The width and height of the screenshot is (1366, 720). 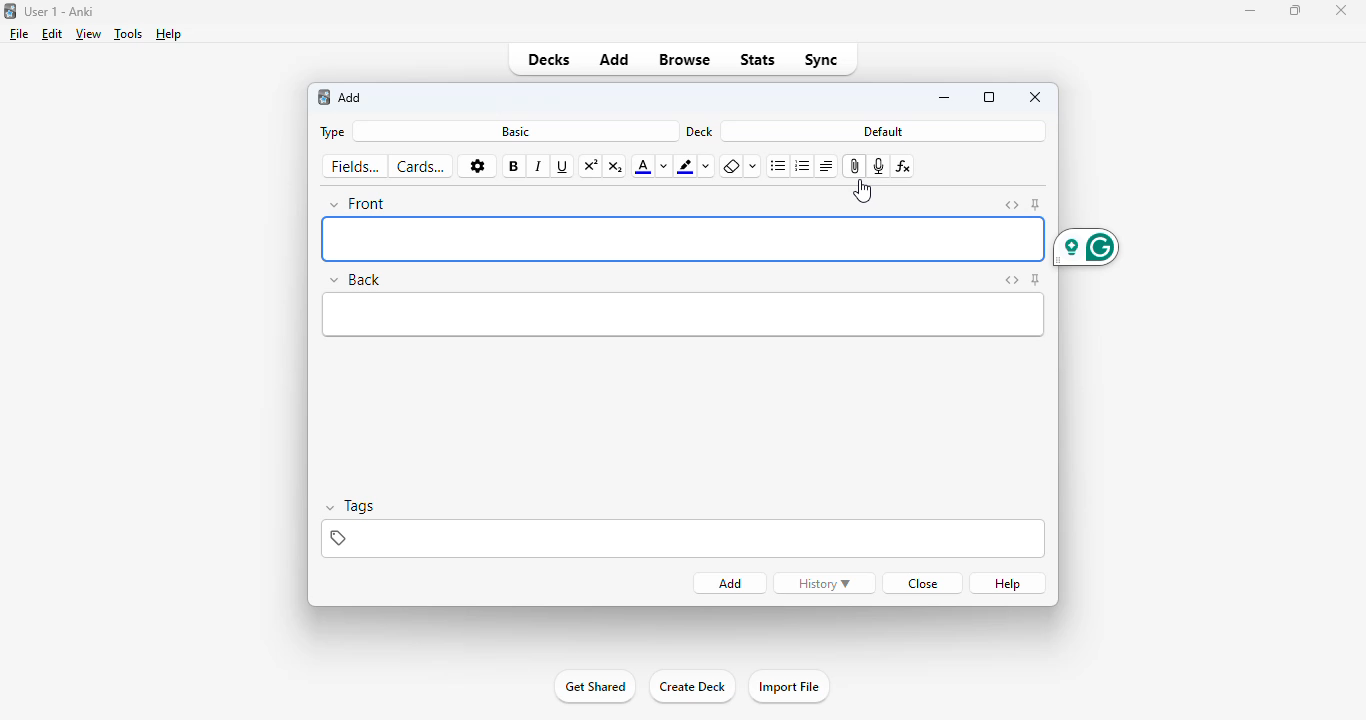 What do you see at coordinates (53, 33) in the screenshot?
I see `edit` at bounding box center [53, 33].